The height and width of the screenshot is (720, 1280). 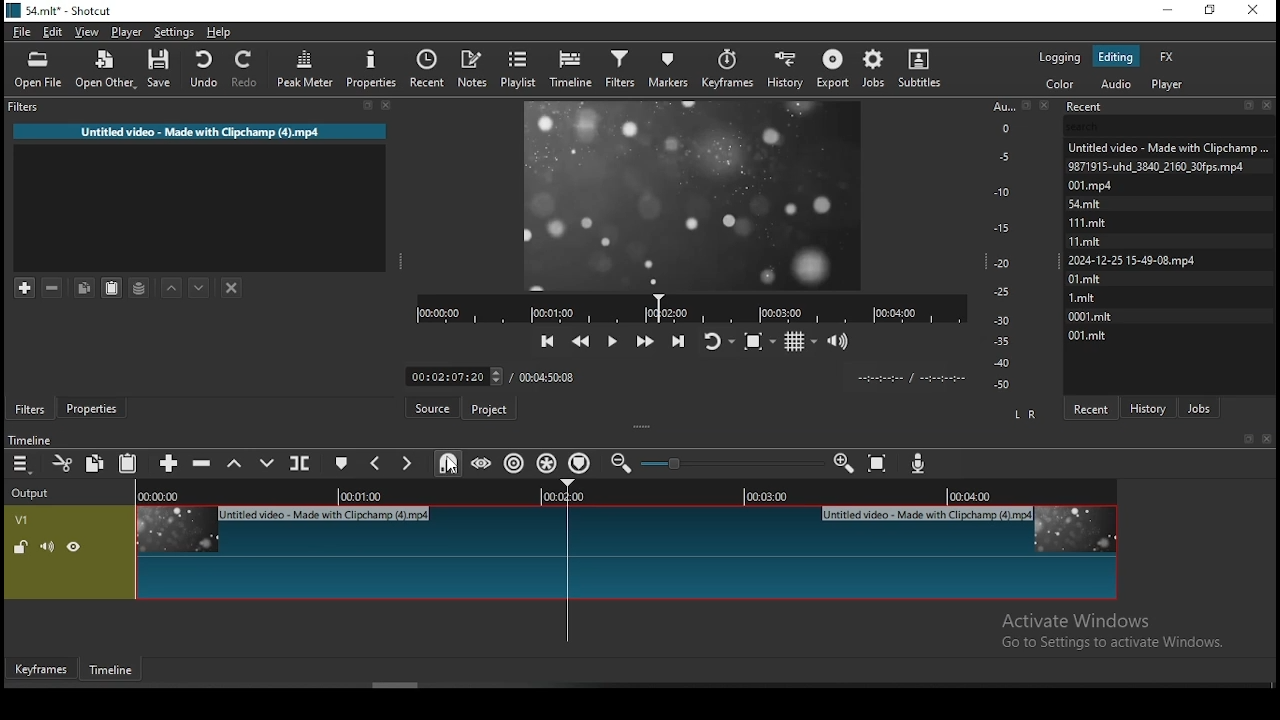 I want to click on deselect filter, so click(x=231, y=287).